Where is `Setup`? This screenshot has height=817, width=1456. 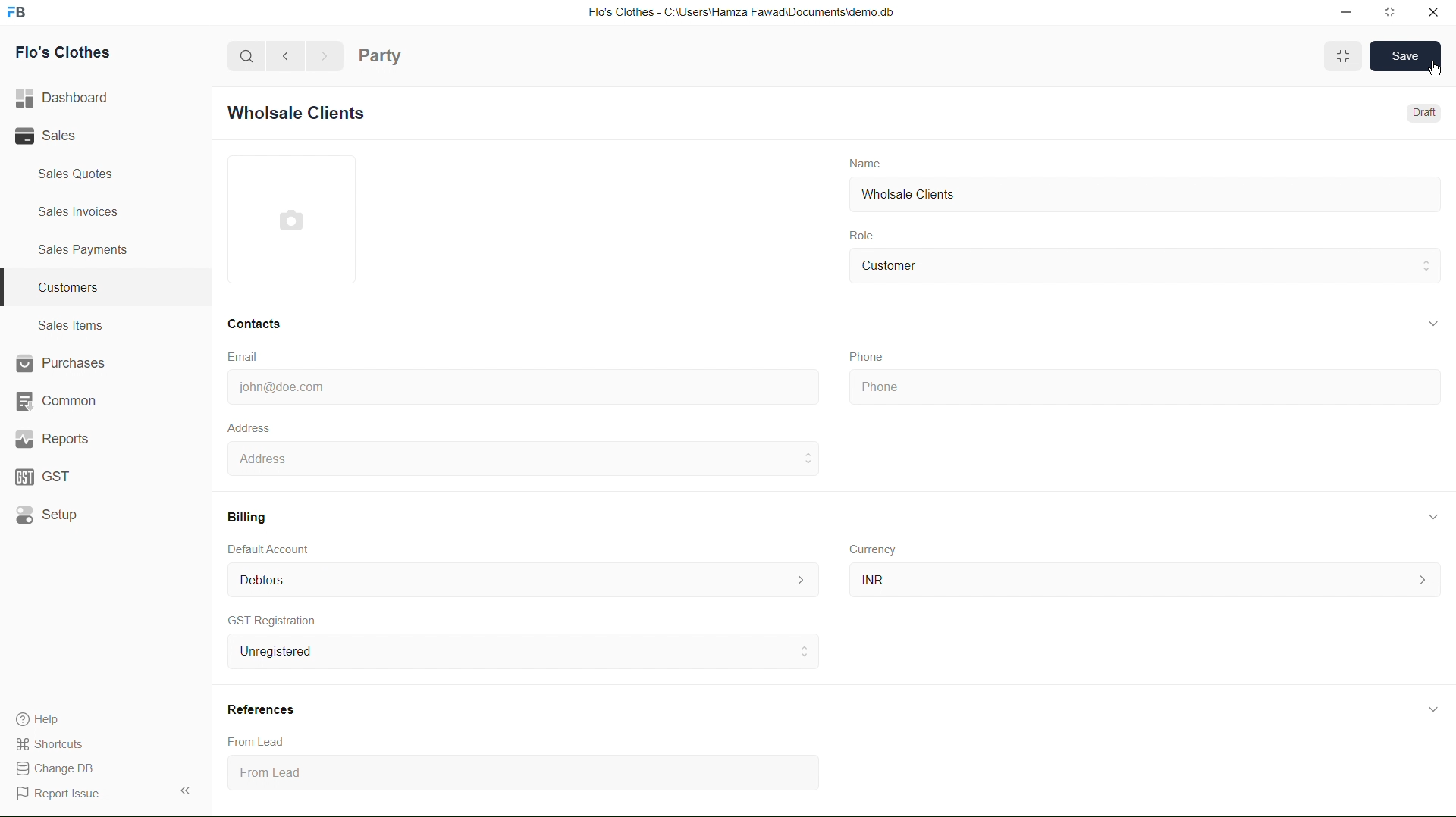 Setup is located at coordinates (47, 516).